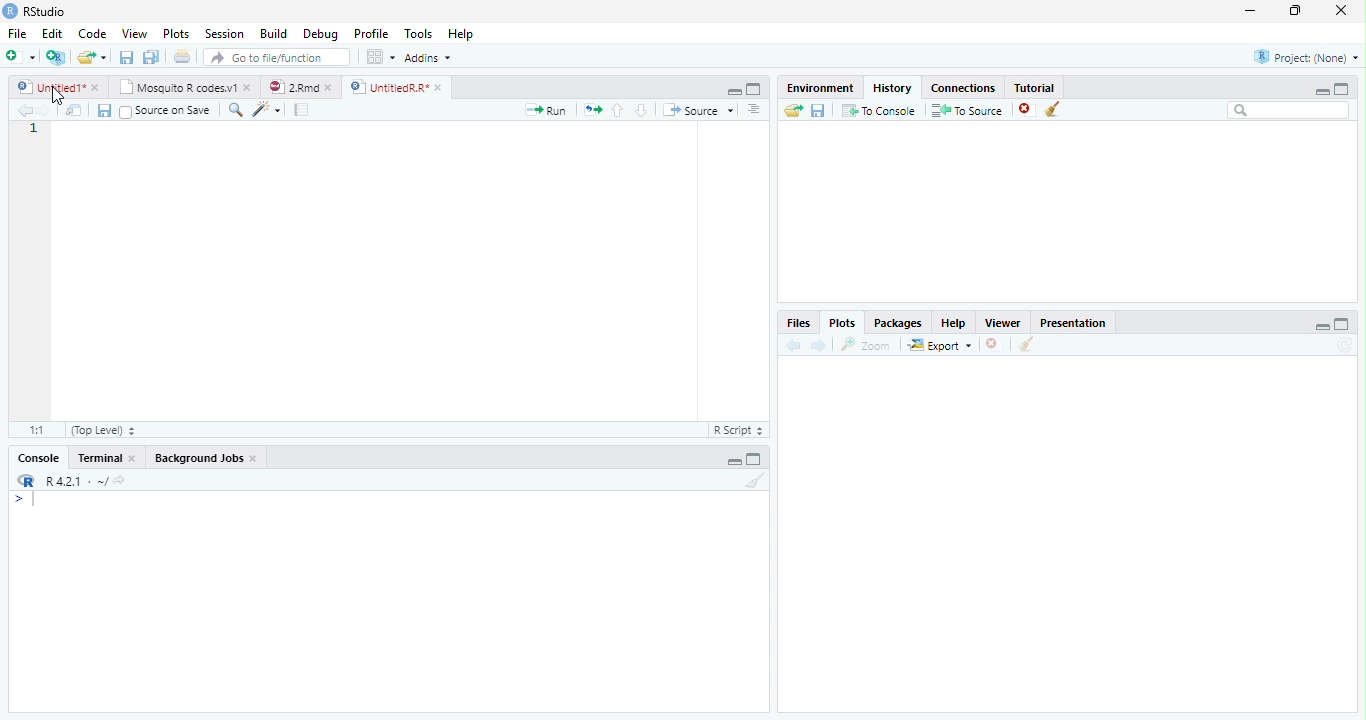 This screenshot has height=720, width=1366. What do you see at coordinates (182, 55) in the screenshot?
I see `Print the current file` at bounding box center [182, 55].